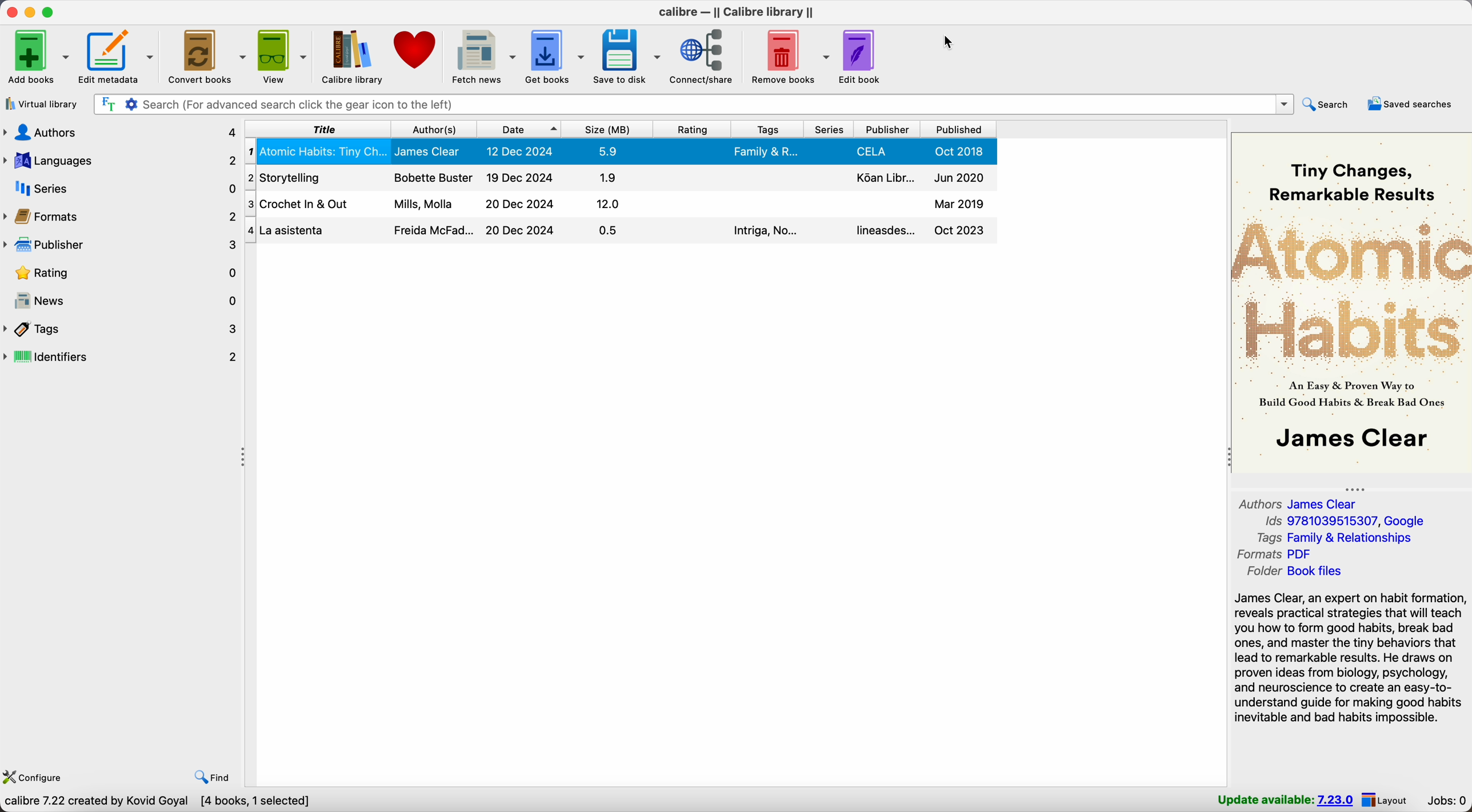 Image resolution: width=1472 pixels, height=812 pixels. I want to click on rating, so click(121, 274).